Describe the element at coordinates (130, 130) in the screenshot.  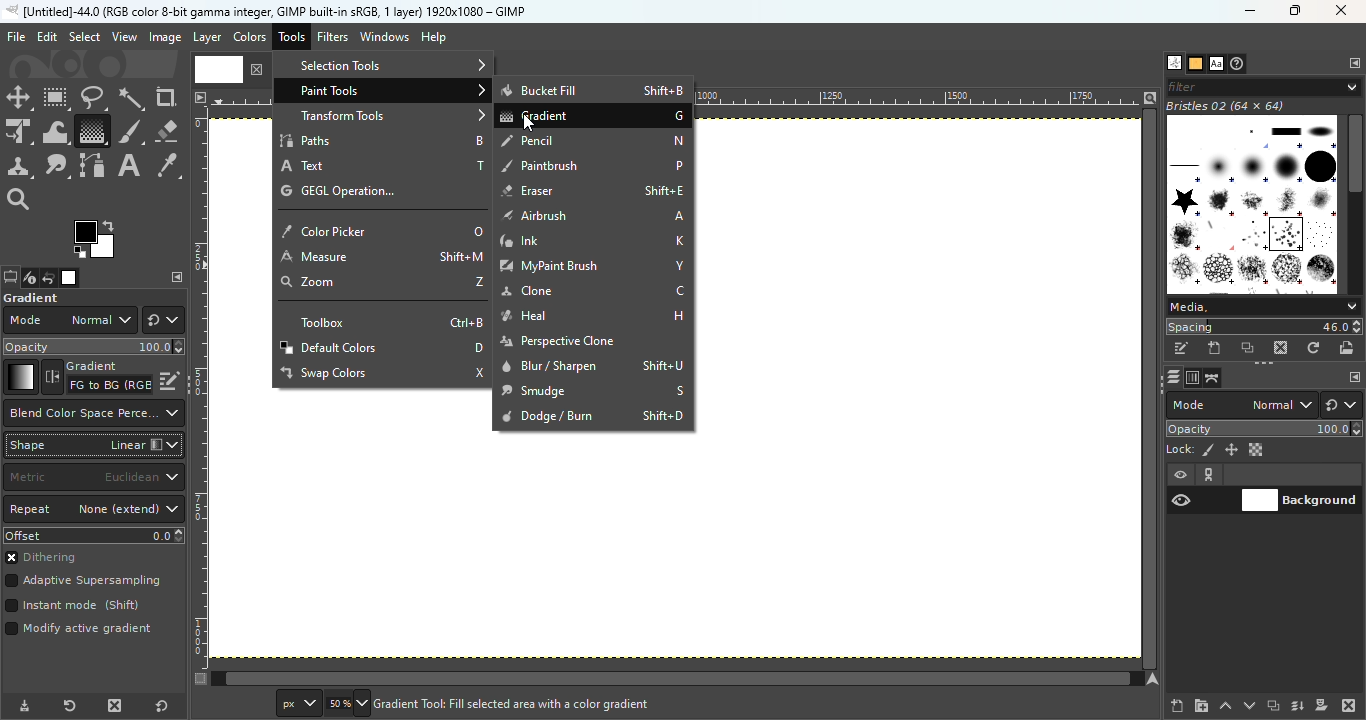
I see `Paint brush tool` at that location.